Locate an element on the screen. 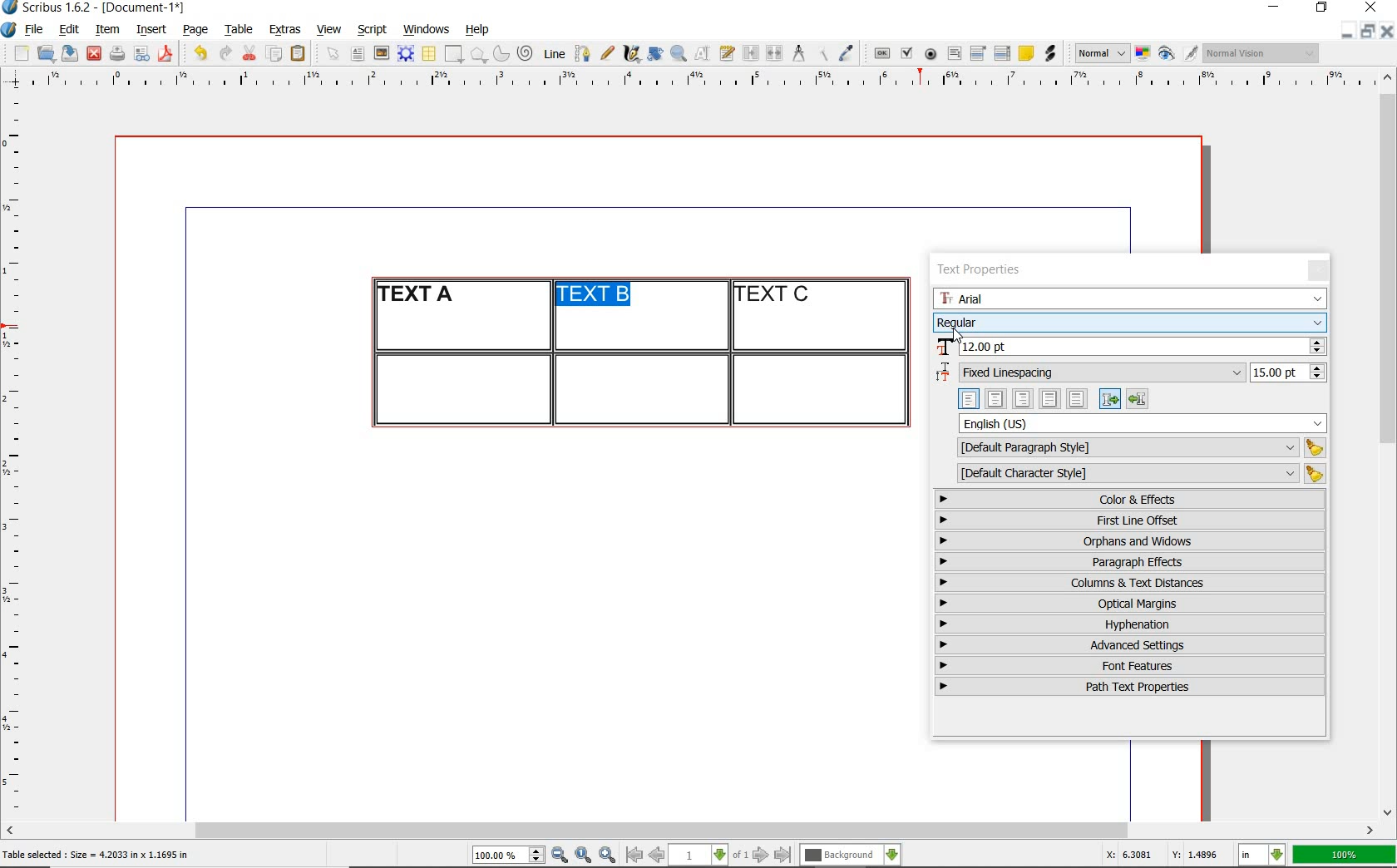 The height and width of the screenshot is (868, 1397). pdf text field is located at coordinates (954, 55).